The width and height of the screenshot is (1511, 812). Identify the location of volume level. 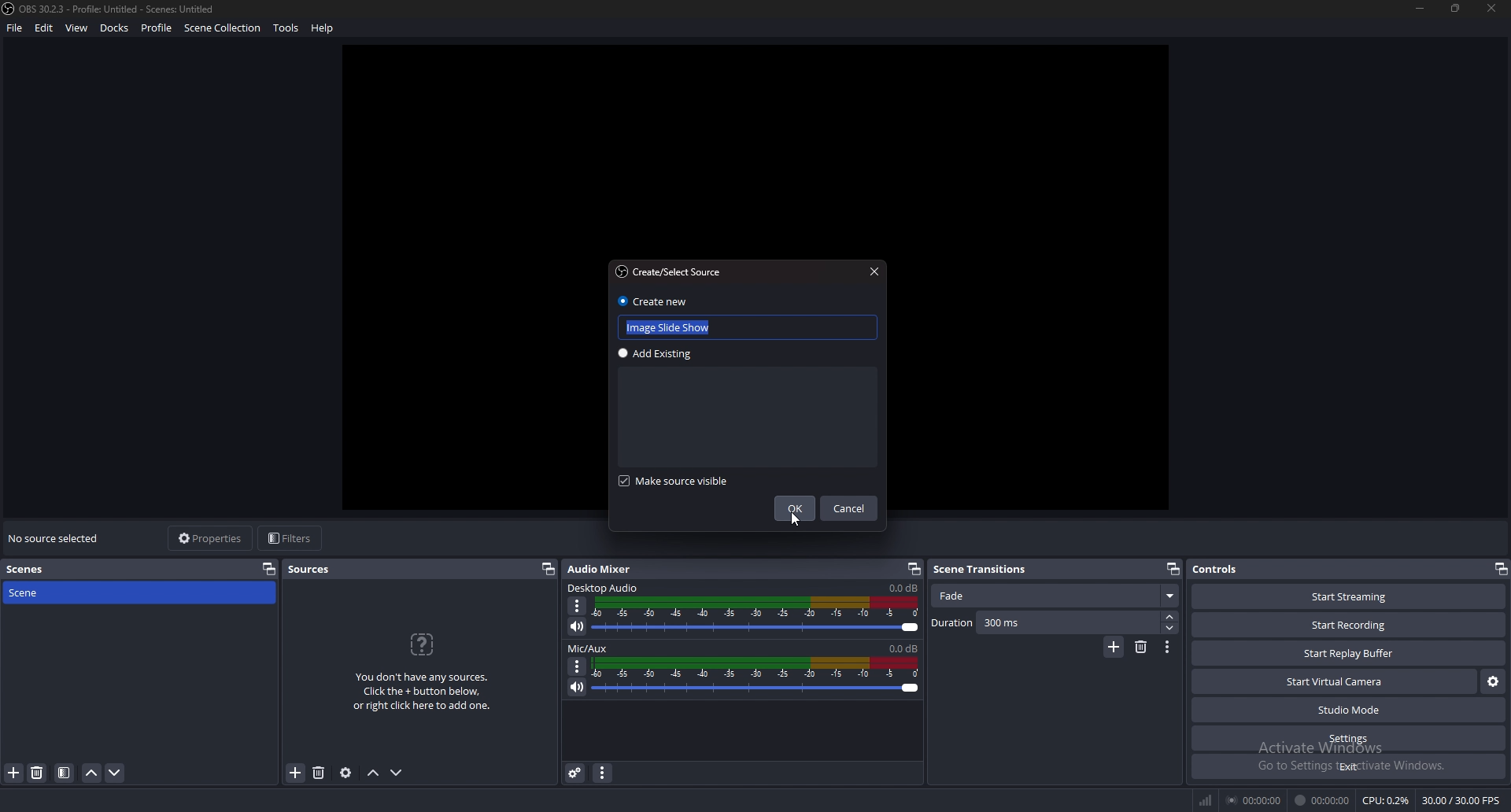
(903, 648).